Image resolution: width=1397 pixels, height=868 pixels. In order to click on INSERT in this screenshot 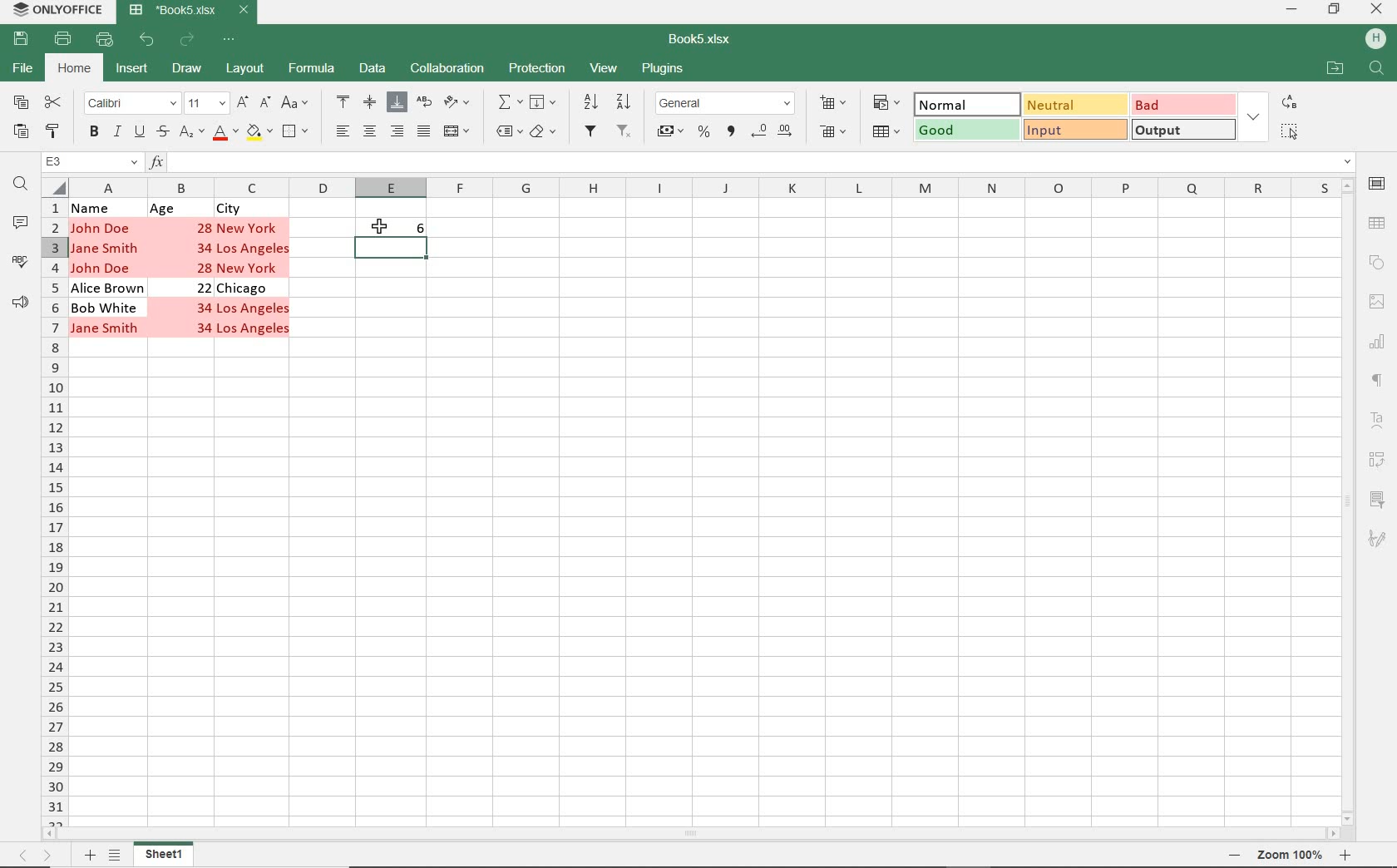, I will do `click(132, 71)`.